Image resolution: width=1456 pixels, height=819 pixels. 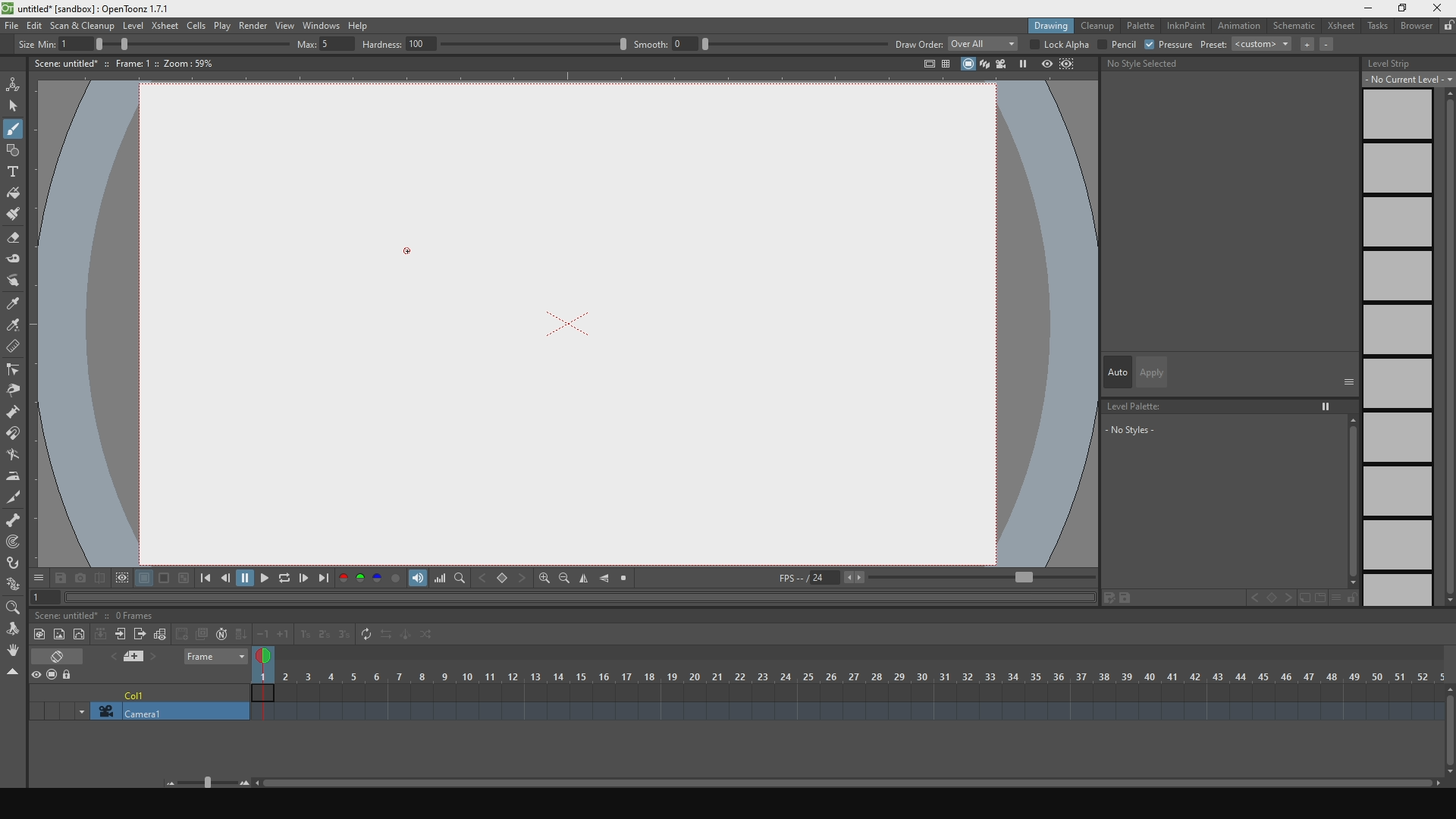 I want to click on cut, so click(x=14, y=497).